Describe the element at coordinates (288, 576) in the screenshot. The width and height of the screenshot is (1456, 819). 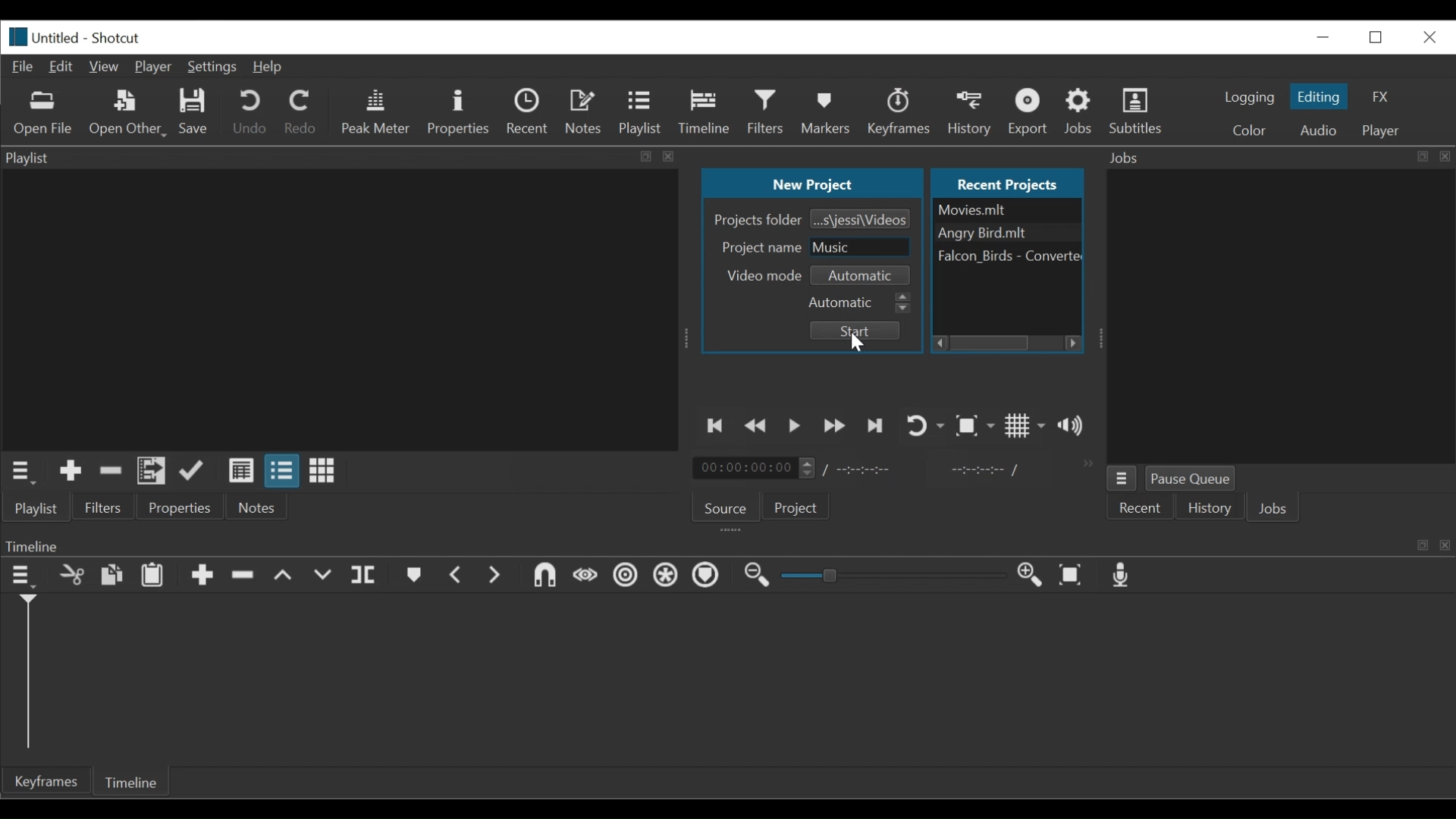
I see `Lift` at that location.